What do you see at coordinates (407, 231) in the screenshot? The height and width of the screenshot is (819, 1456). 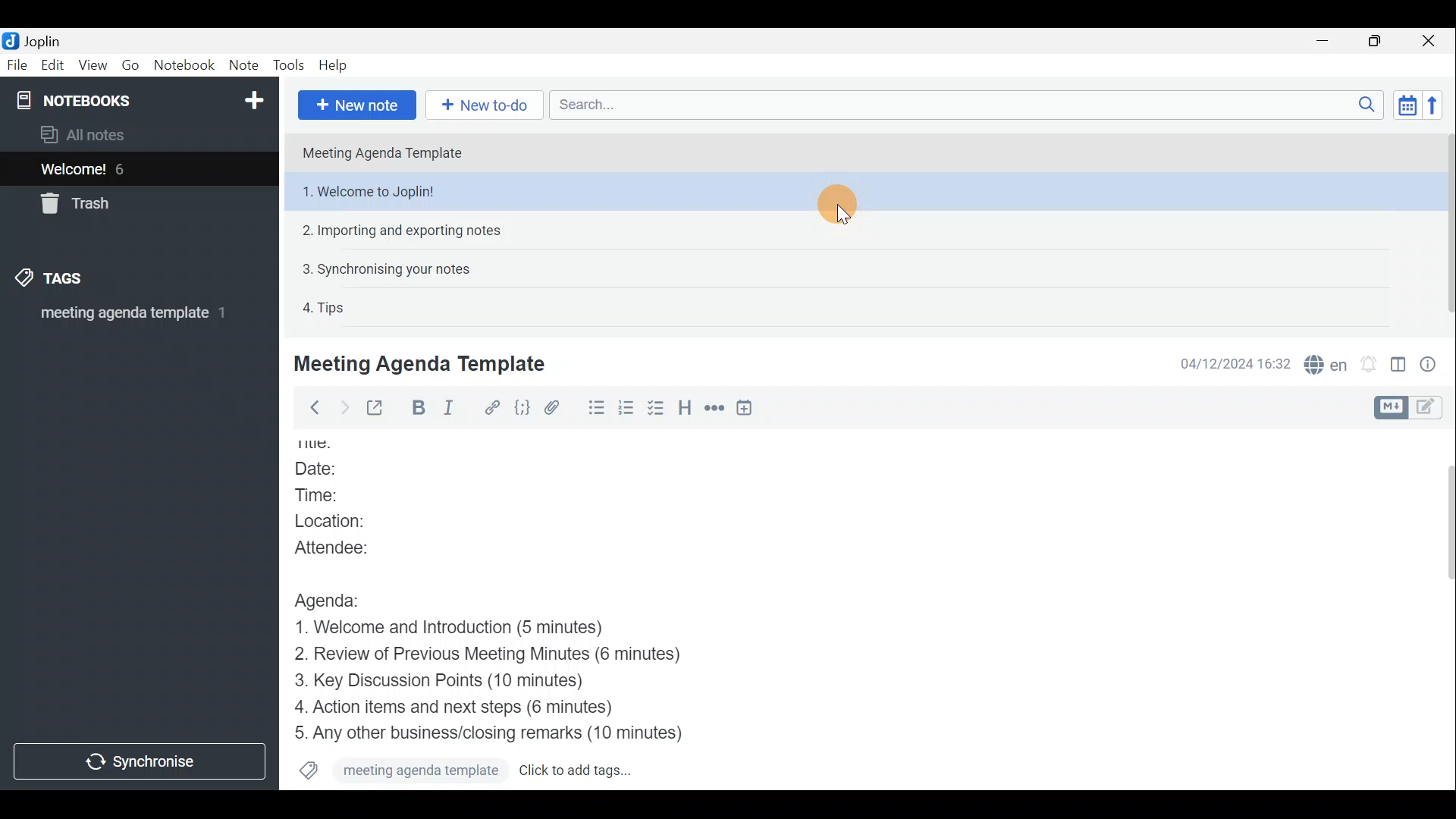 I see `2. Importing and exporting notes` at bounding box center [407, 231].